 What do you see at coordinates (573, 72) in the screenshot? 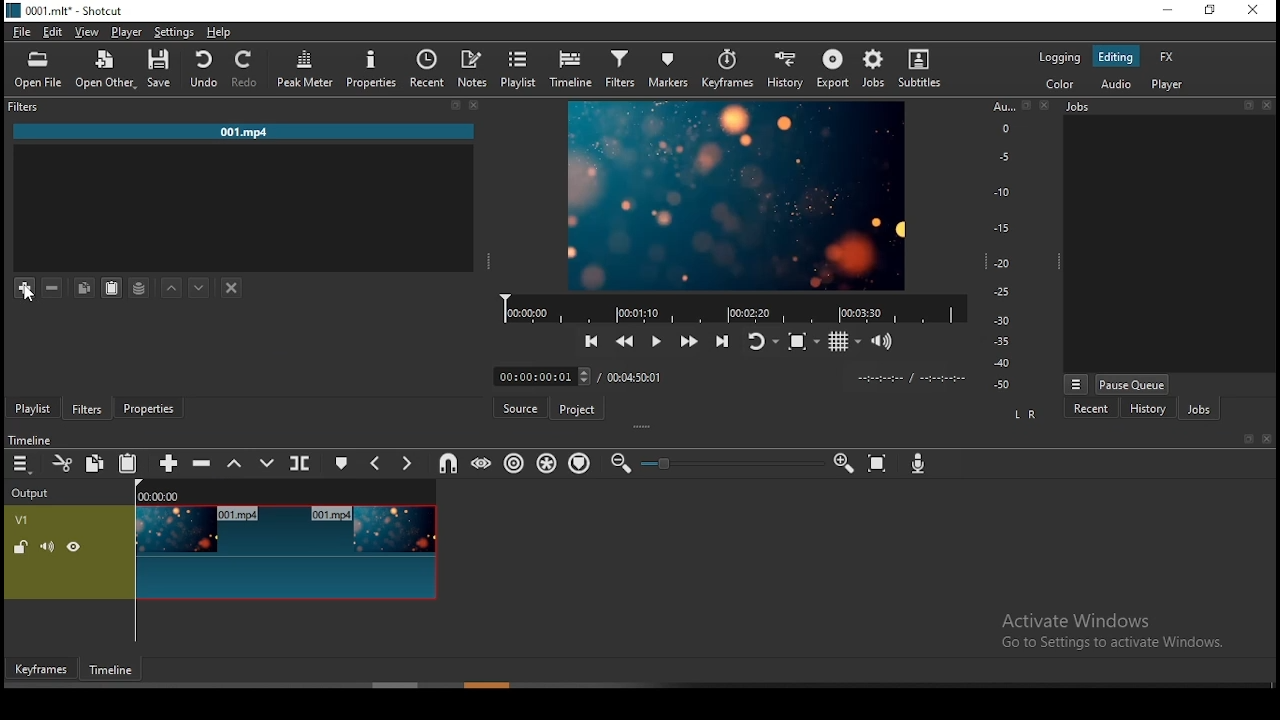
I see `timeline` at bounding box center [573, 72].